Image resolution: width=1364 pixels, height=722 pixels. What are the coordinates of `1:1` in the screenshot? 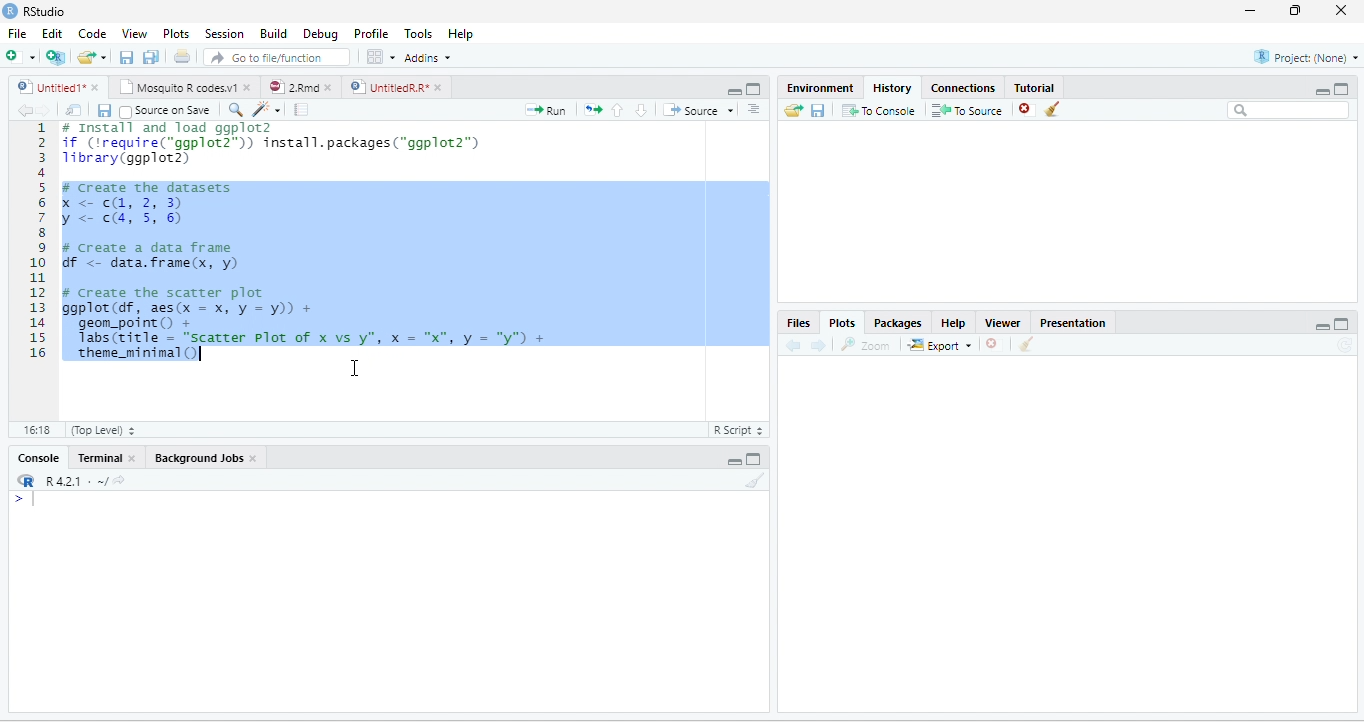 It's located at (34, 429).